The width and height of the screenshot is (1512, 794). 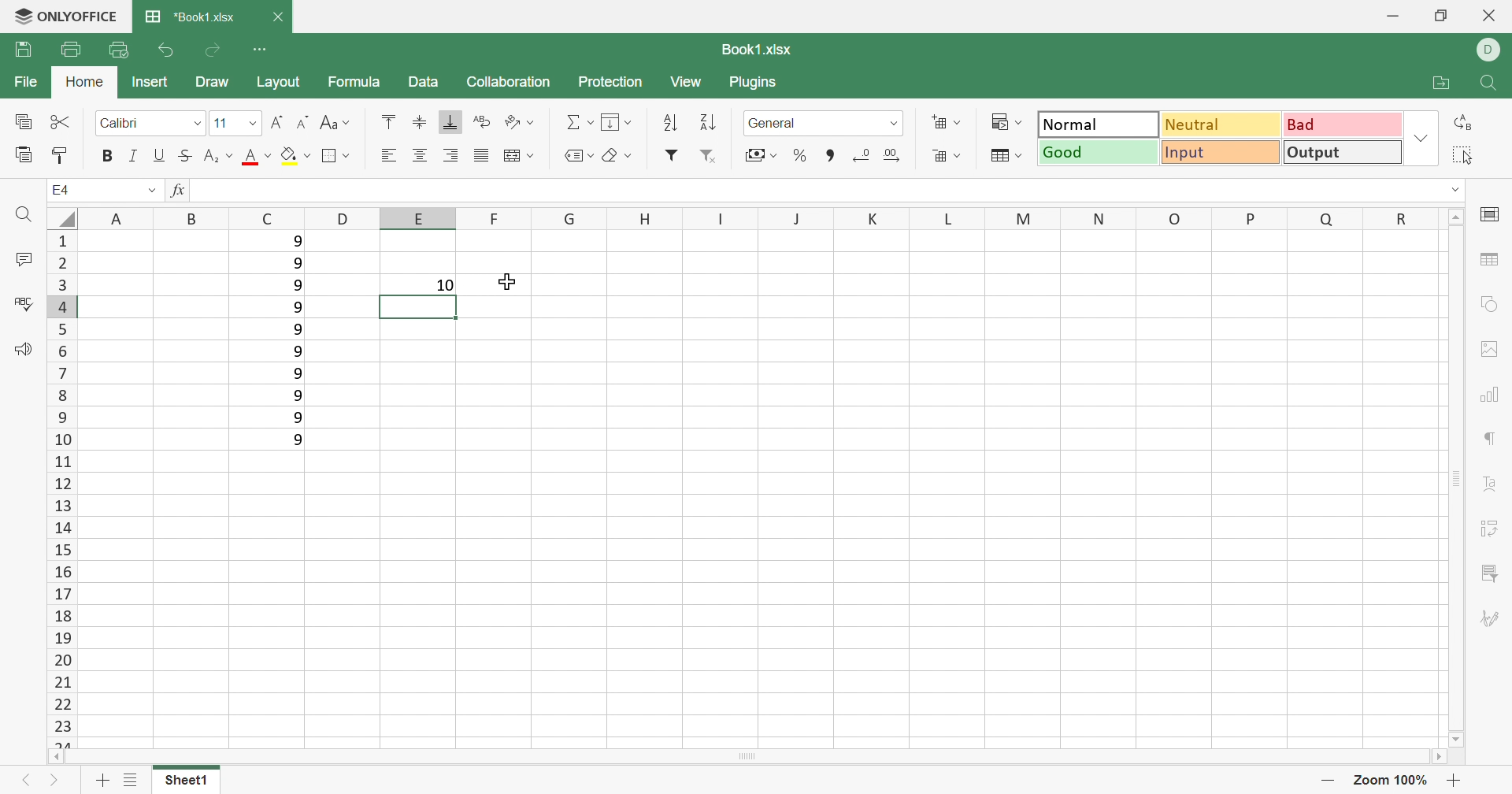 What do you see at coordinates (259, 48) in the screenshot?
I see `Customize Quick Access Toolbar` at bounding box center [259, 48].